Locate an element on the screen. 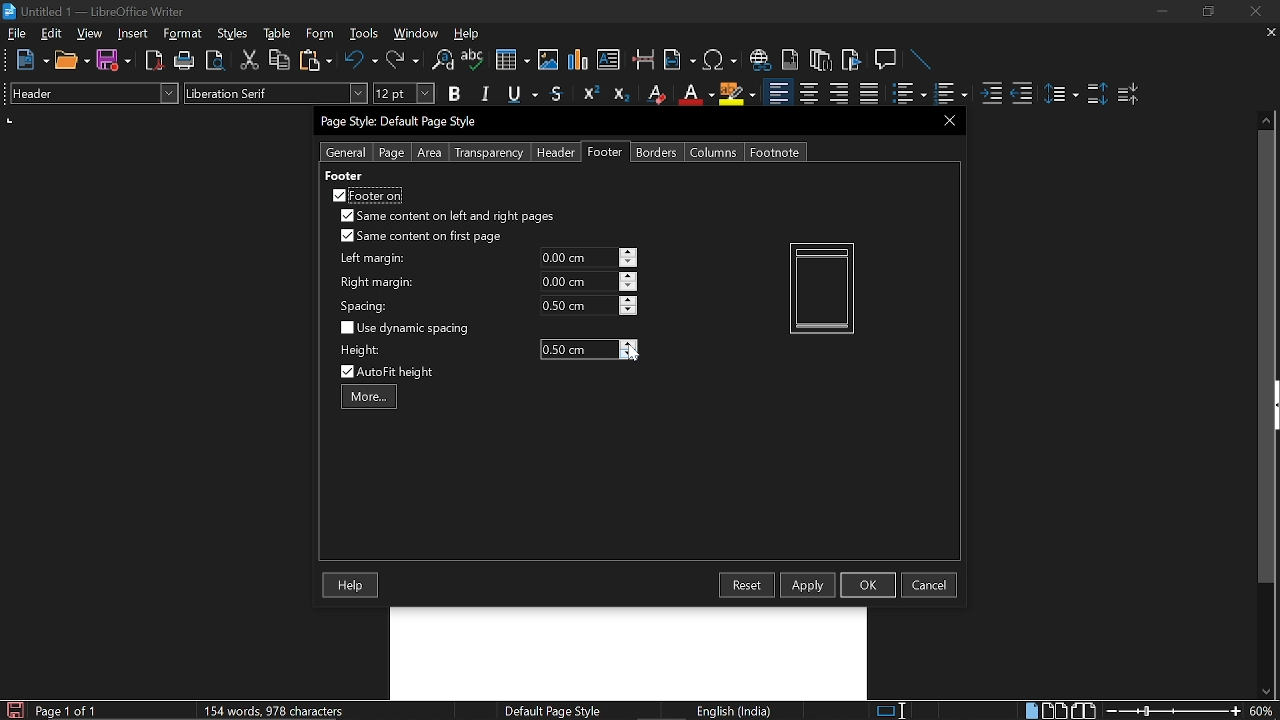 The height and width of the screenshot is (720, 1280). Footer on is located at coordinates (368, 195).